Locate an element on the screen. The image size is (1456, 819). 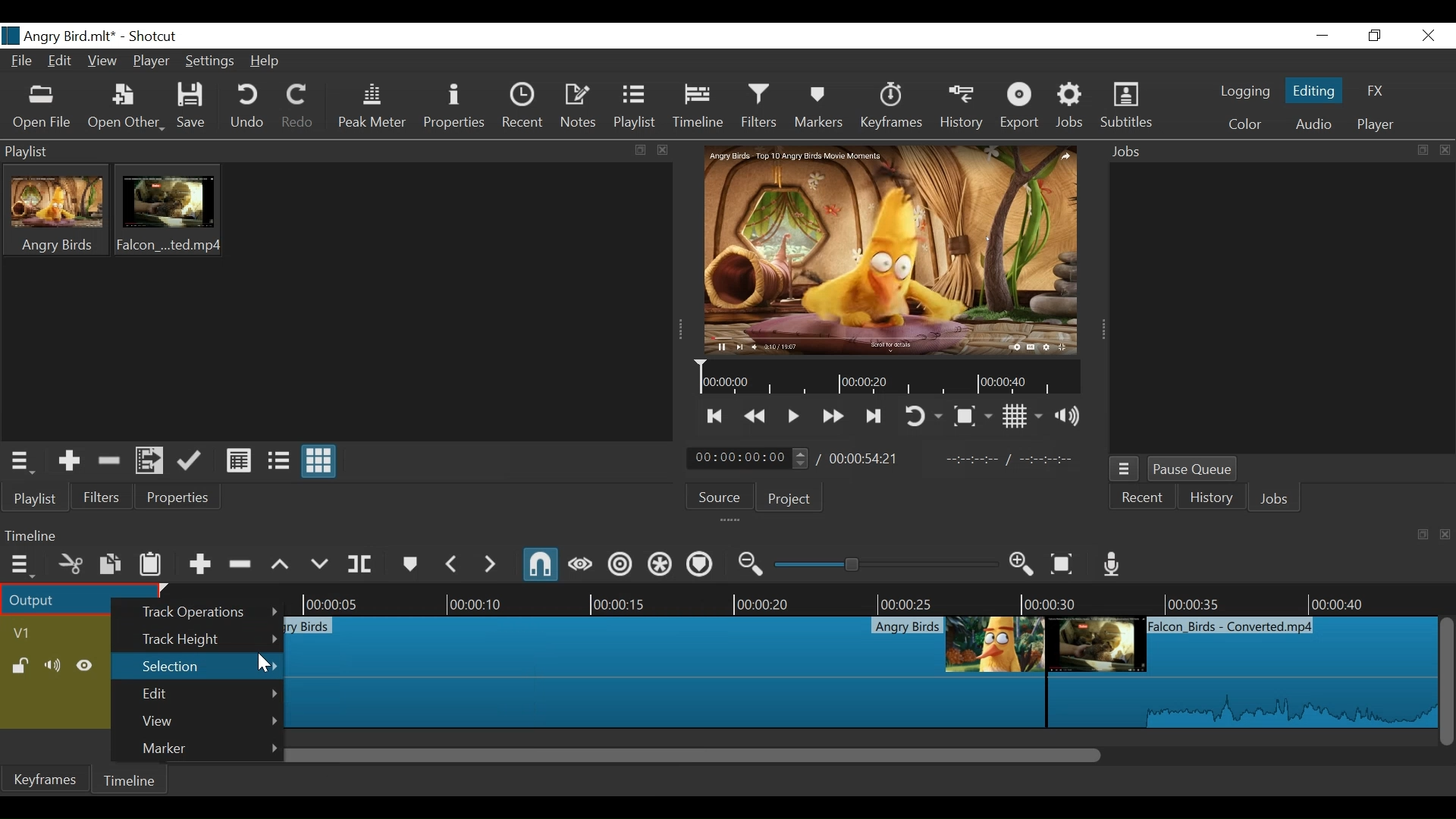
Redo is located at coordinates (299, 106).